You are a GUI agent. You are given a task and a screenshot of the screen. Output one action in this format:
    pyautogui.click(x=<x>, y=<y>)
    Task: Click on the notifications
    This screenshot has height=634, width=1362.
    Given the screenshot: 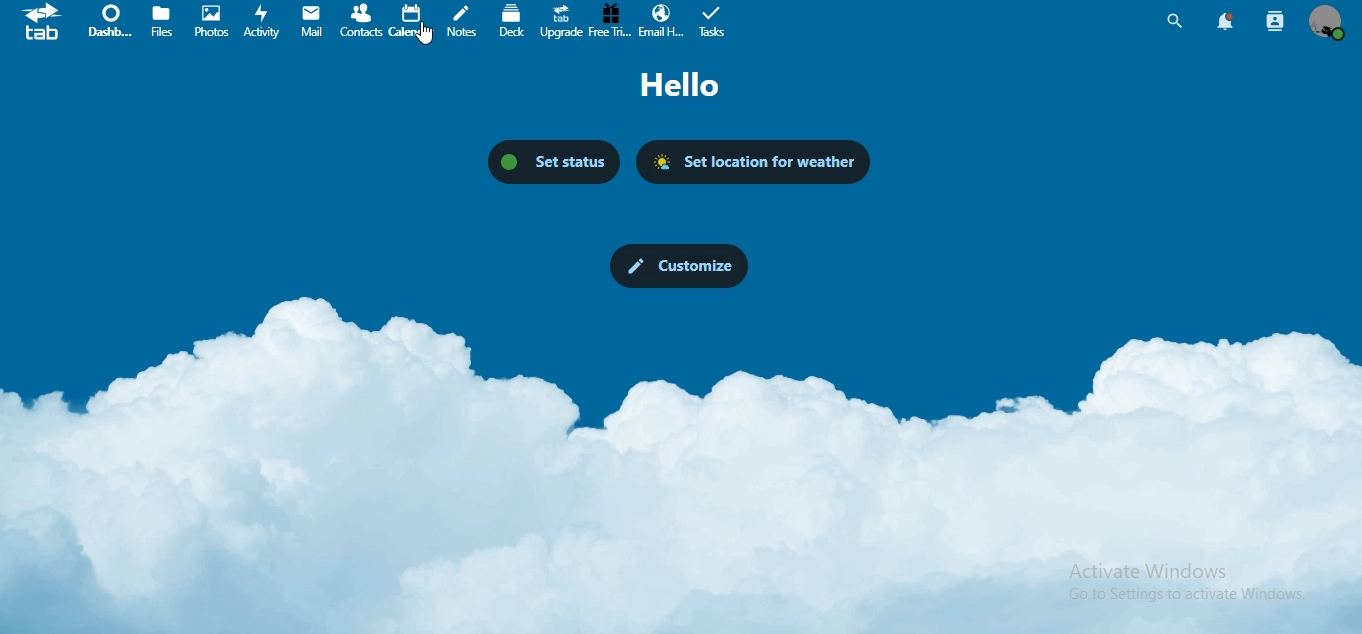 What is the action you would take?
    pyautogui.click(x=1222, y=21)
    